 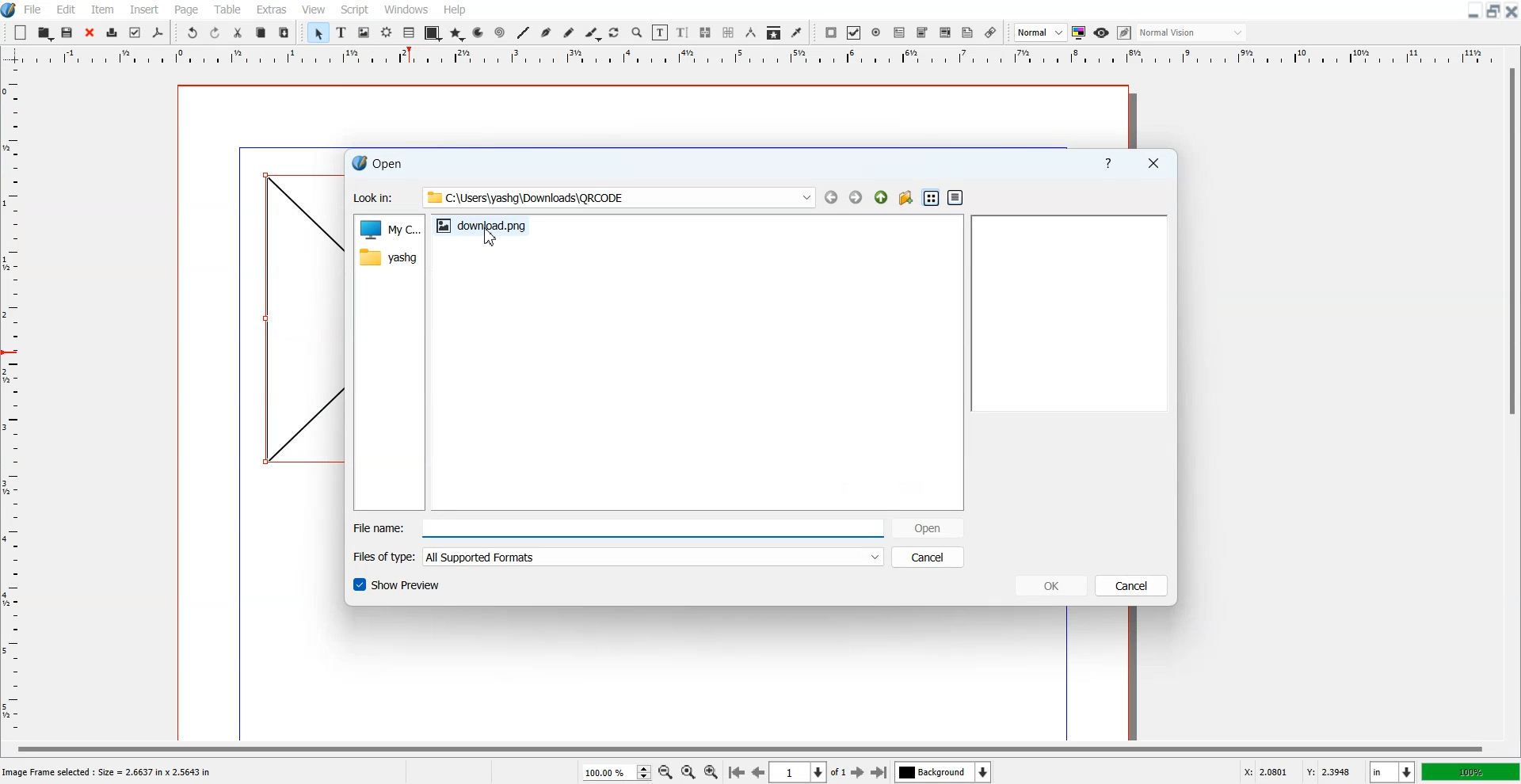 I want to click on Go to last Page, so click(x=879, y=772).